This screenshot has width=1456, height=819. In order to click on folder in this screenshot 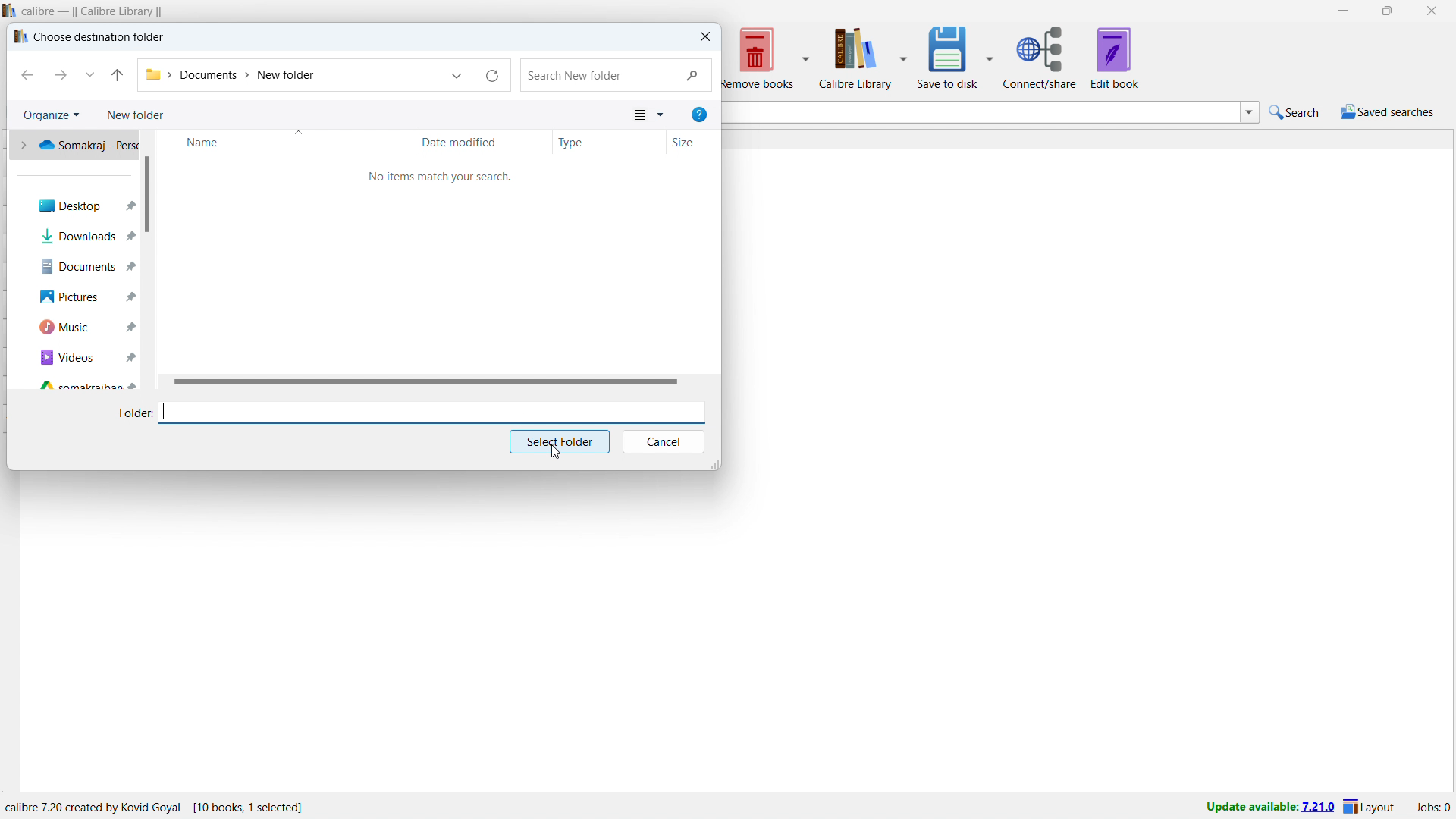, I will do `click(126, 413)`.